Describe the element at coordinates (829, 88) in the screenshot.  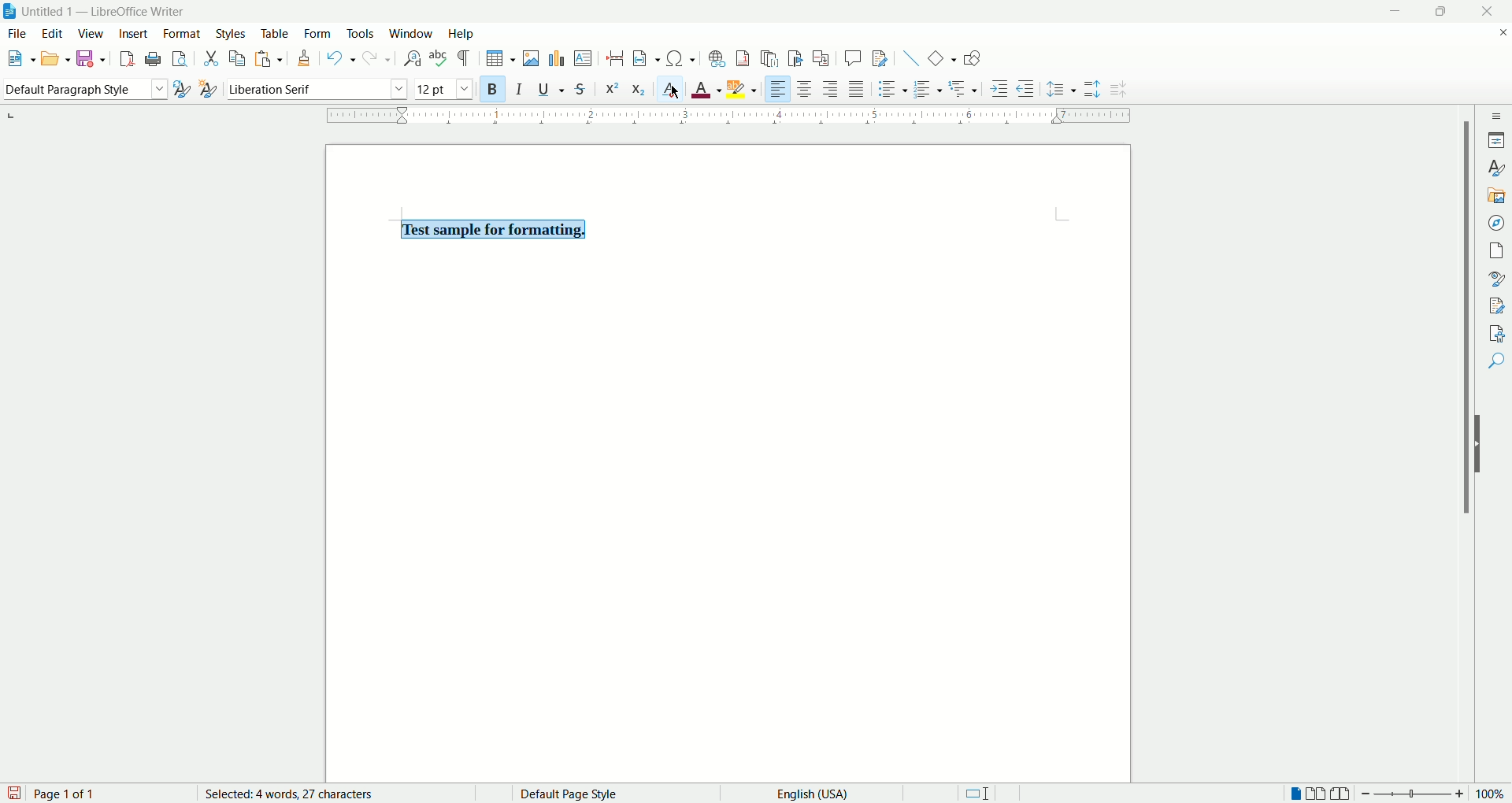
I see `align right` at that location.